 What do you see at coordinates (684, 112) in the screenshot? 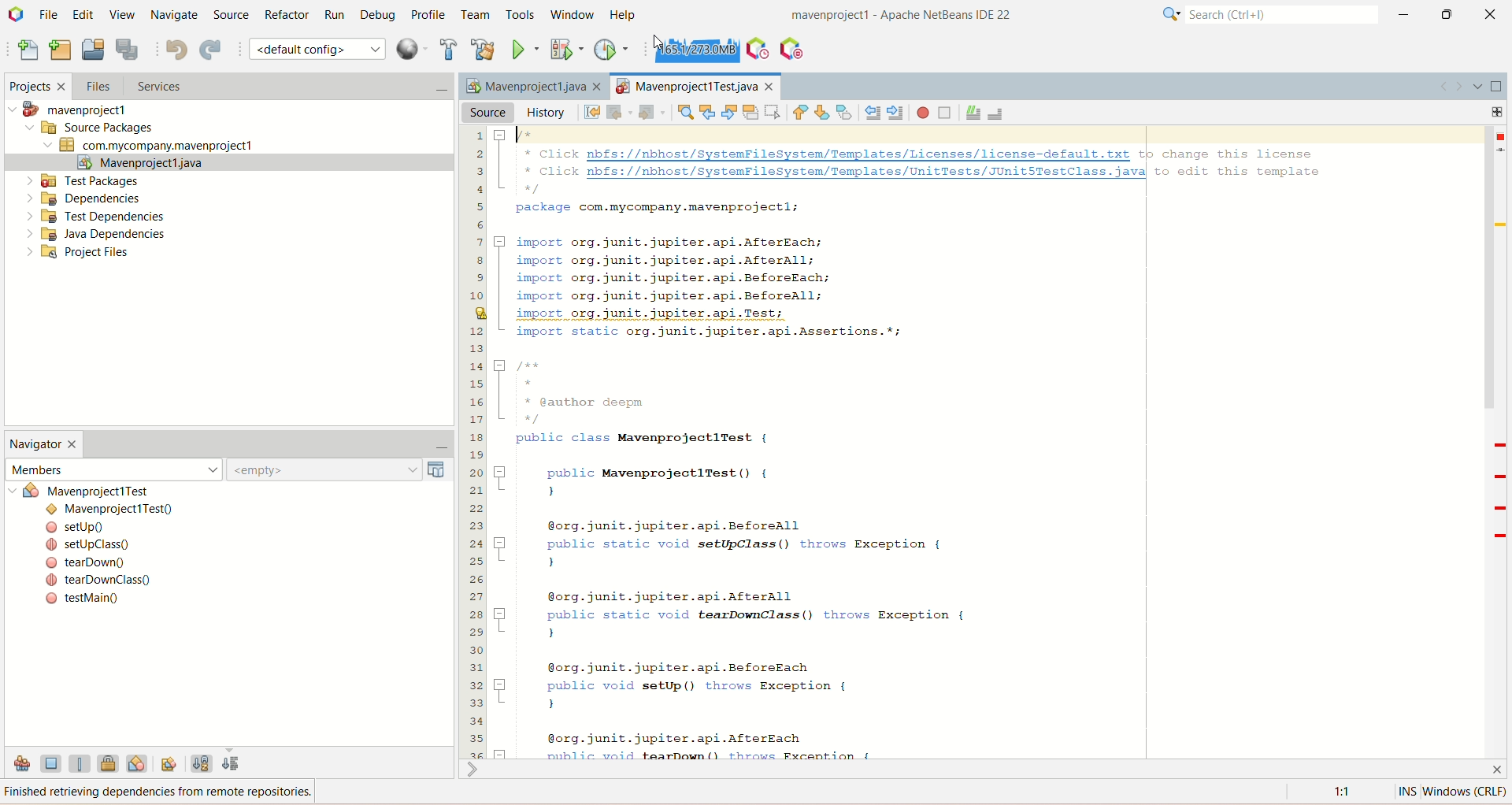
I see `find selection` at bounding box center [684, 112].